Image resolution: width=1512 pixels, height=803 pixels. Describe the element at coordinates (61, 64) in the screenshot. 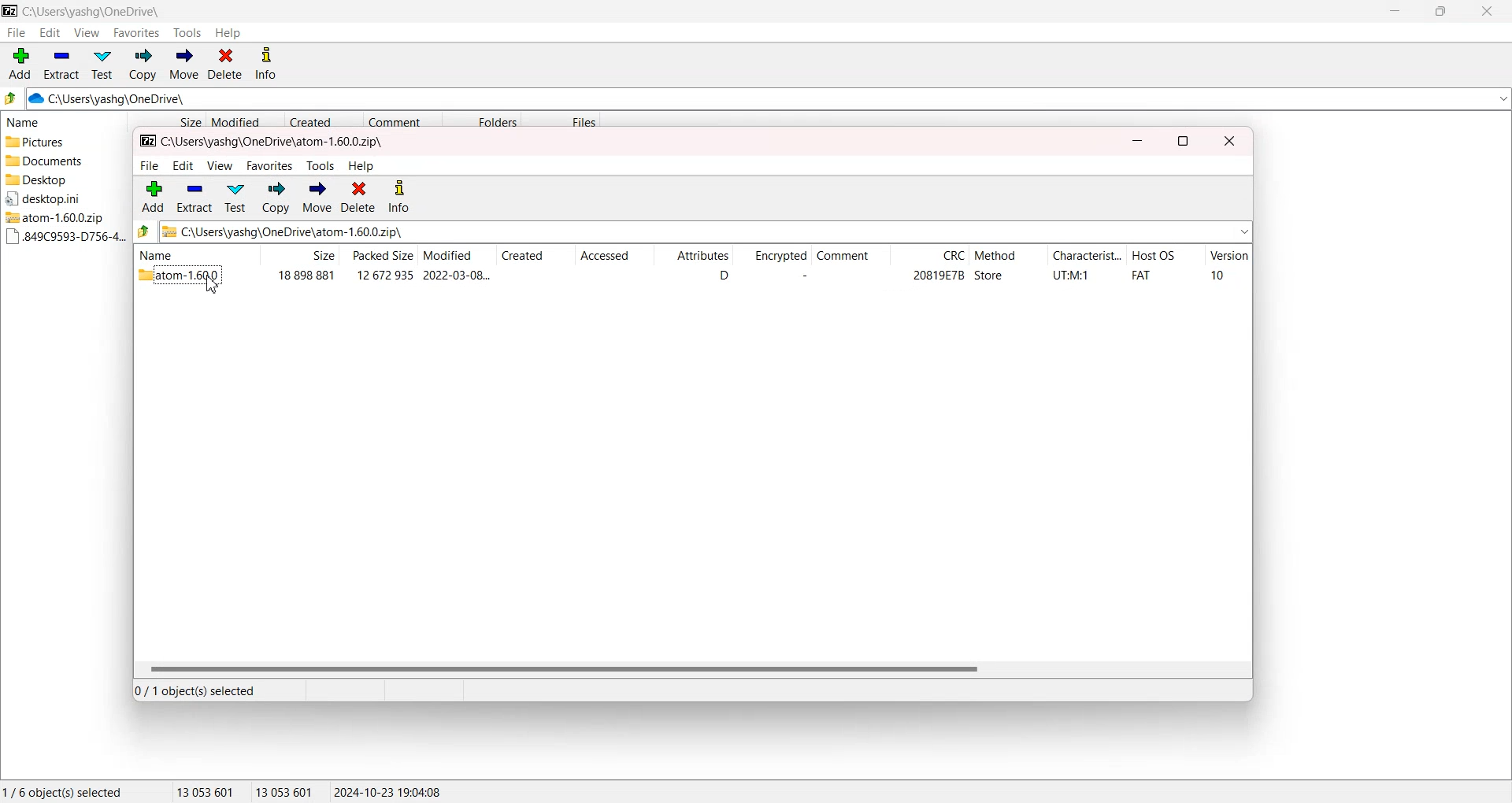

I see `Extract` at that location.